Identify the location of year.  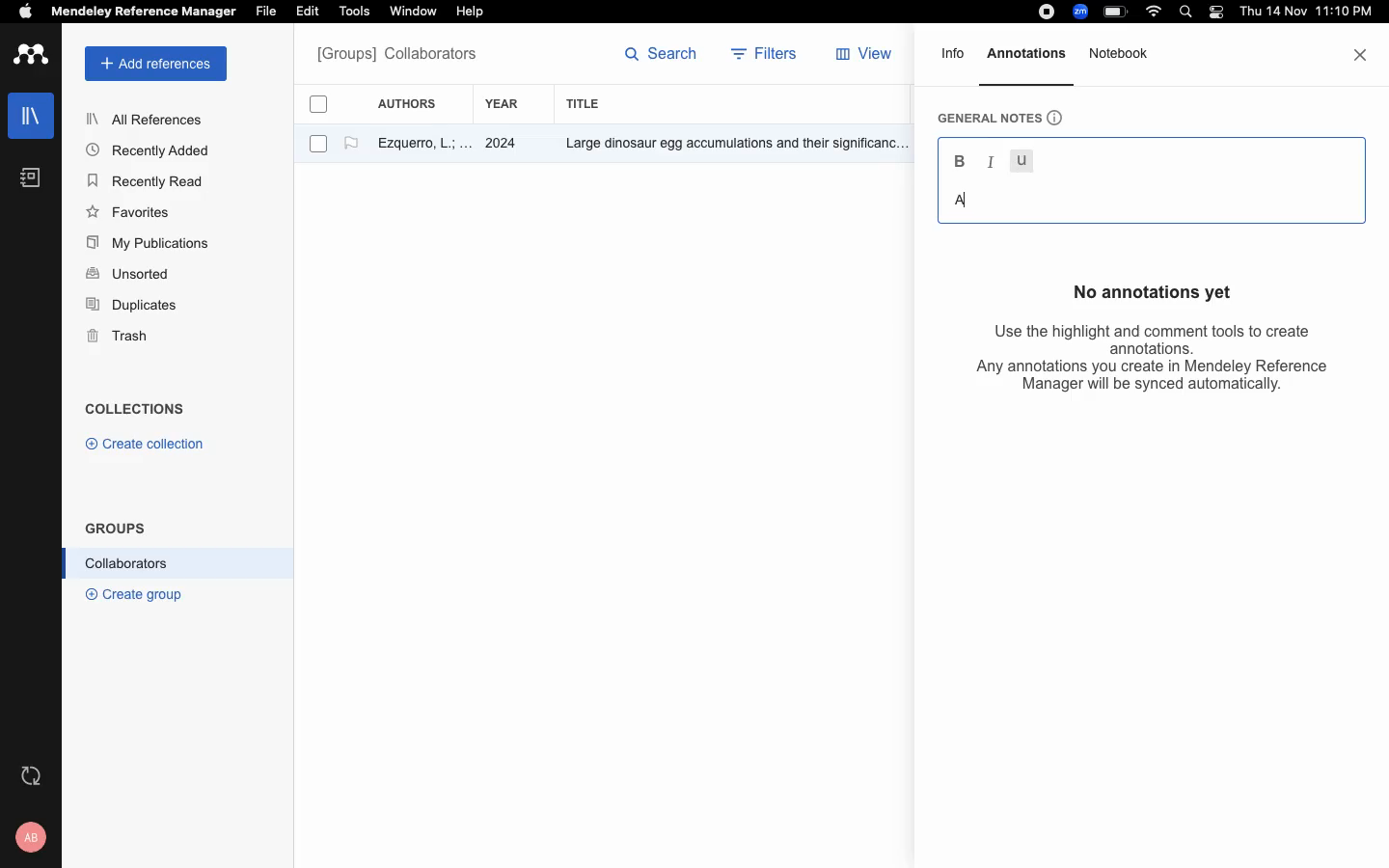
(512, 104).